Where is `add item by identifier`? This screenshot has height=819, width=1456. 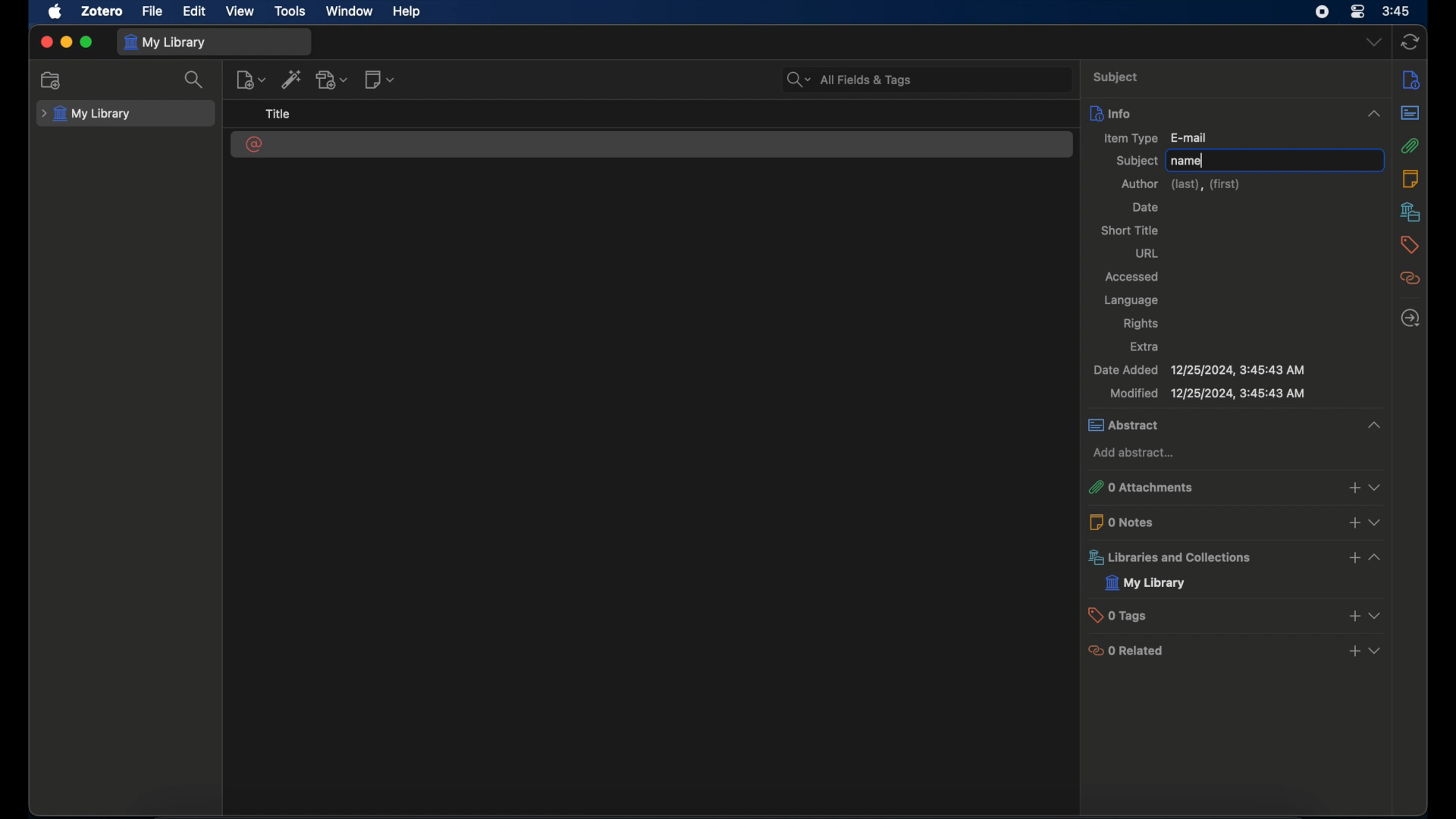 add item by identifier is located at coordinates (293, 81).